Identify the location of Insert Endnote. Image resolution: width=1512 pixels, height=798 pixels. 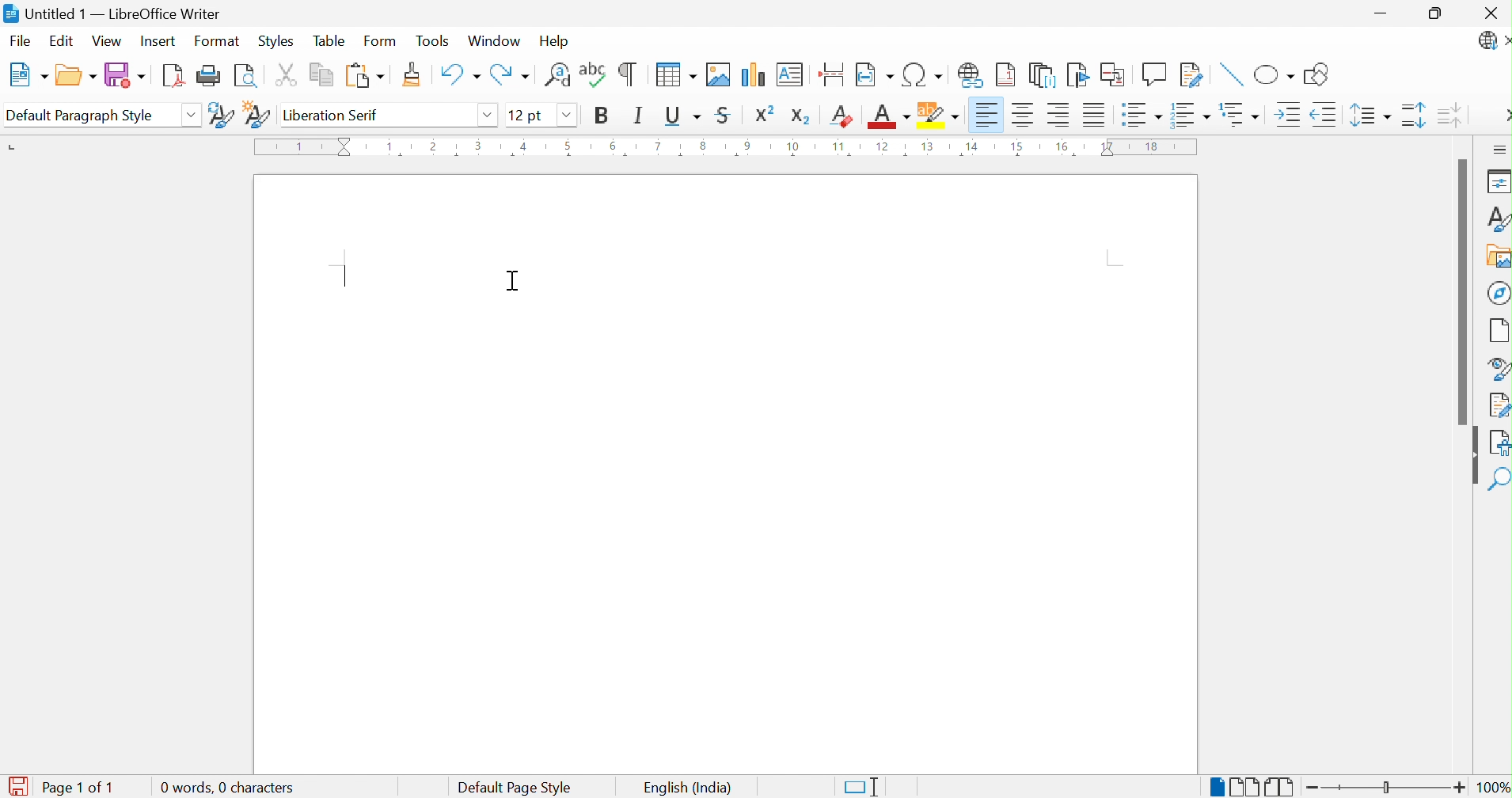
(1042, 77).